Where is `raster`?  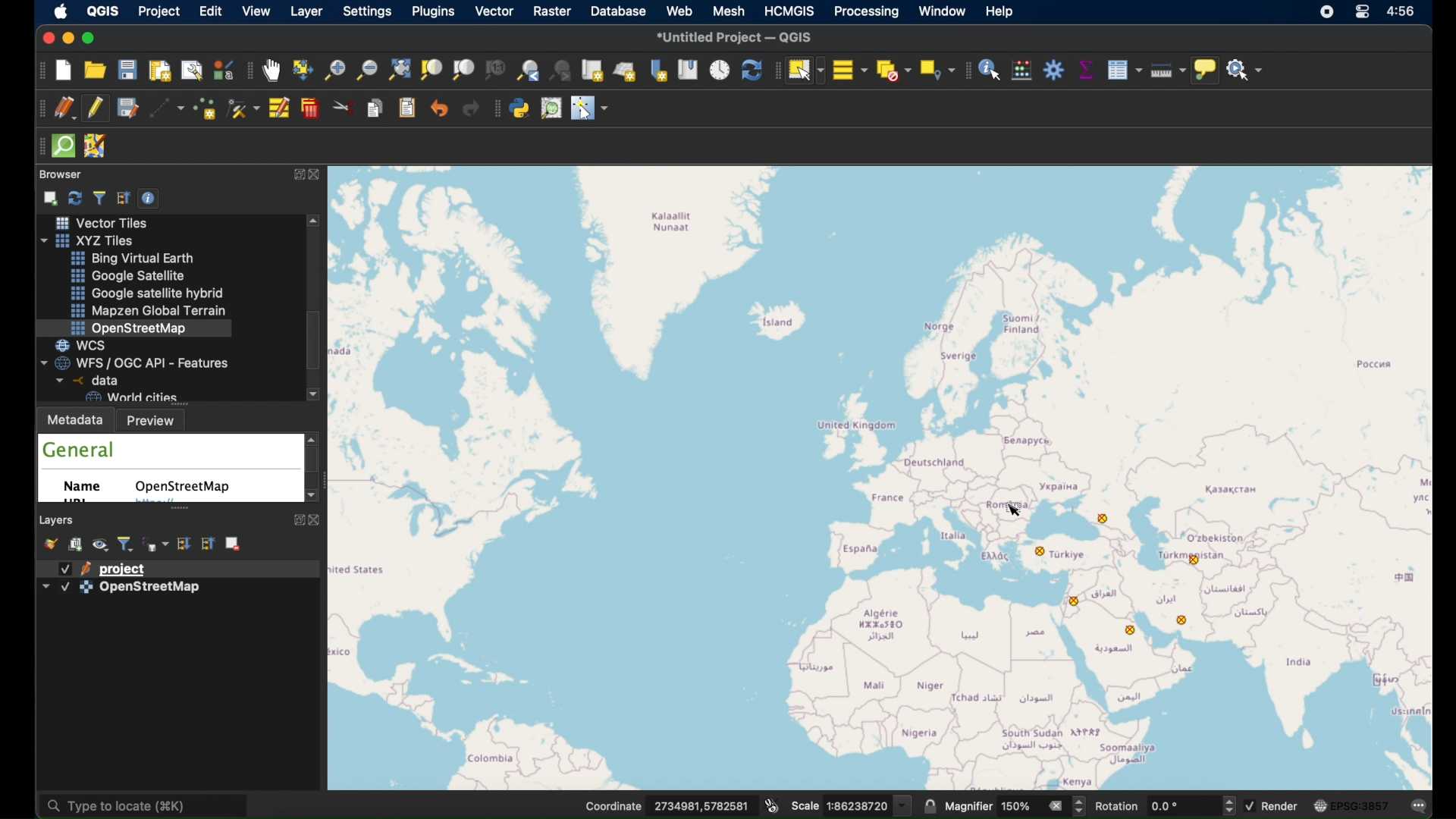 raster is located at coordinates (553, 11).